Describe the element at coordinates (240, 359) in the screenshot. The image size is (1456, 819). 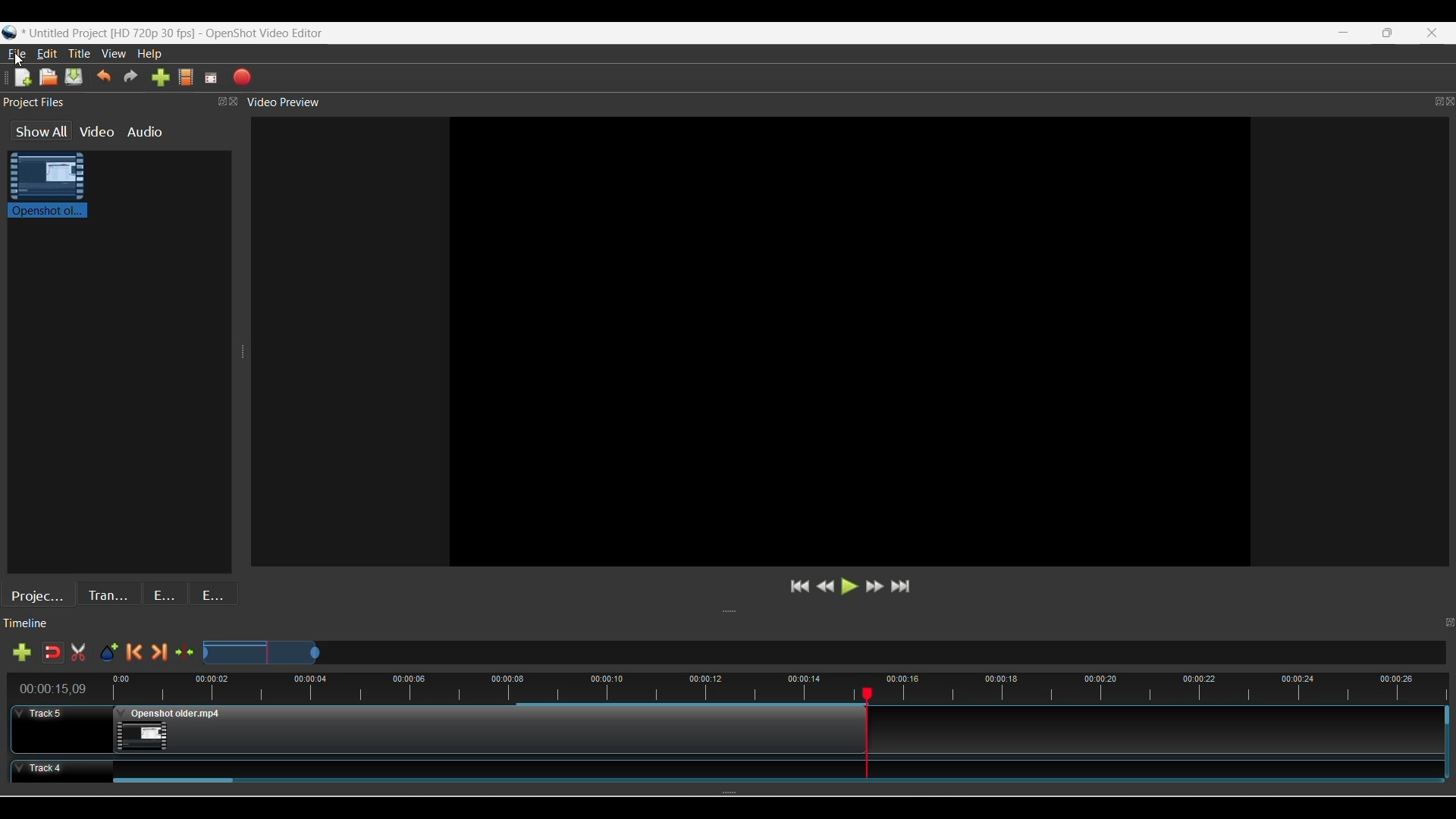
I see `Change width of panels attached to this line` at that location.